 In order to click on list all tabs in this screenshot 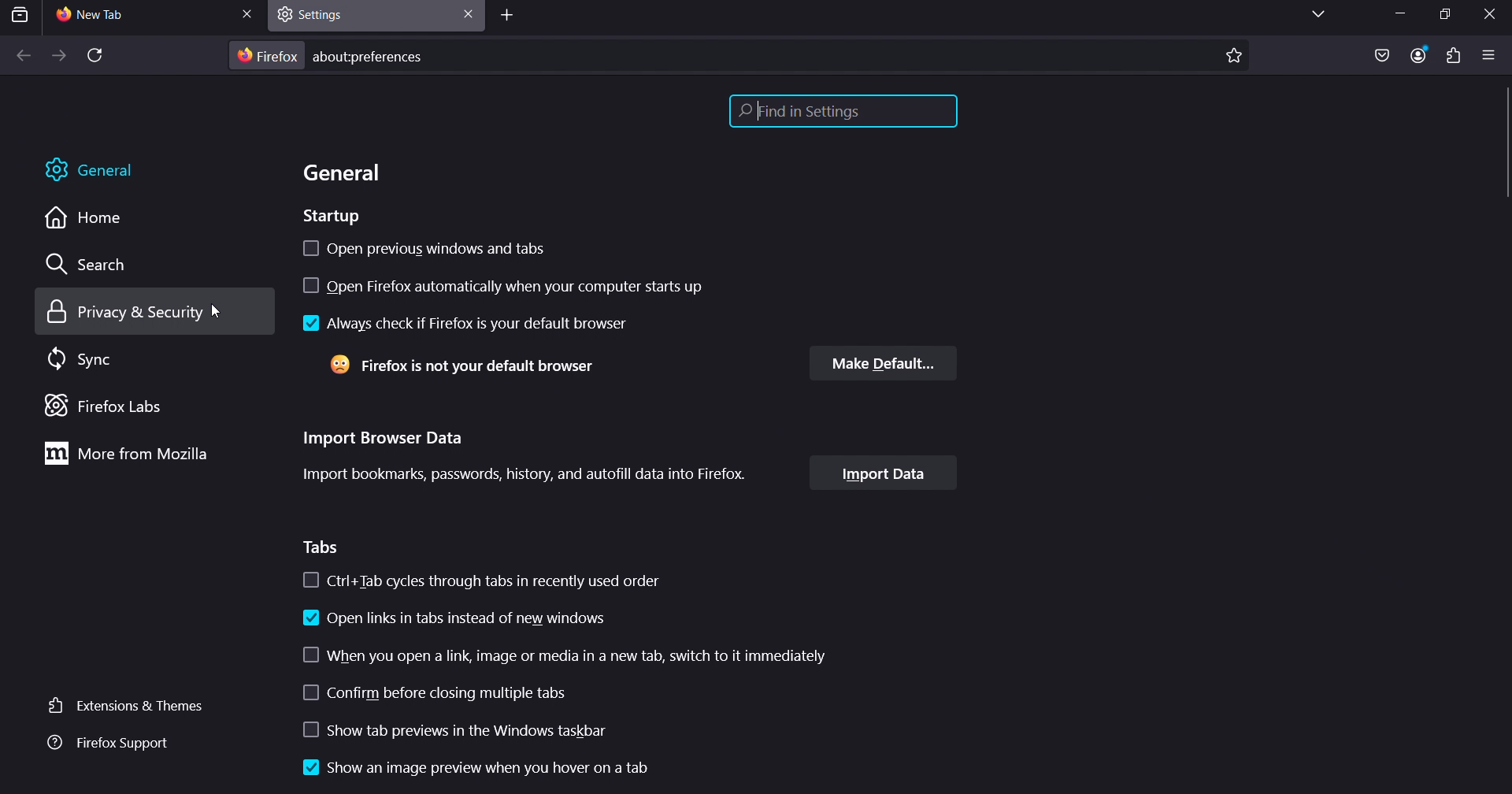, I will do `click(1312, 15)`.